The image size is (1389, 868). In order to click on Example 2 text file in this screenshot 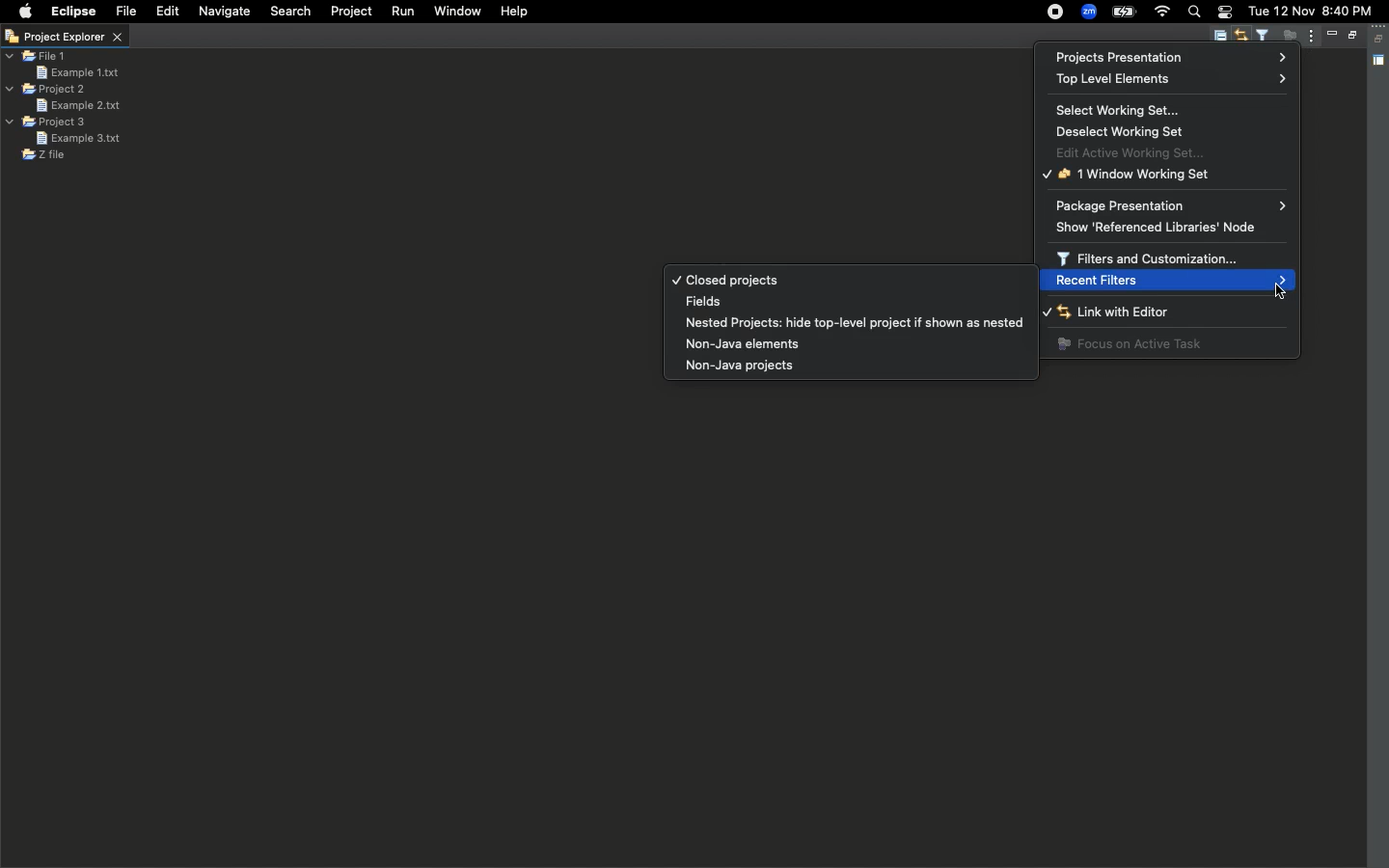, I will do `click(77, 105)`.